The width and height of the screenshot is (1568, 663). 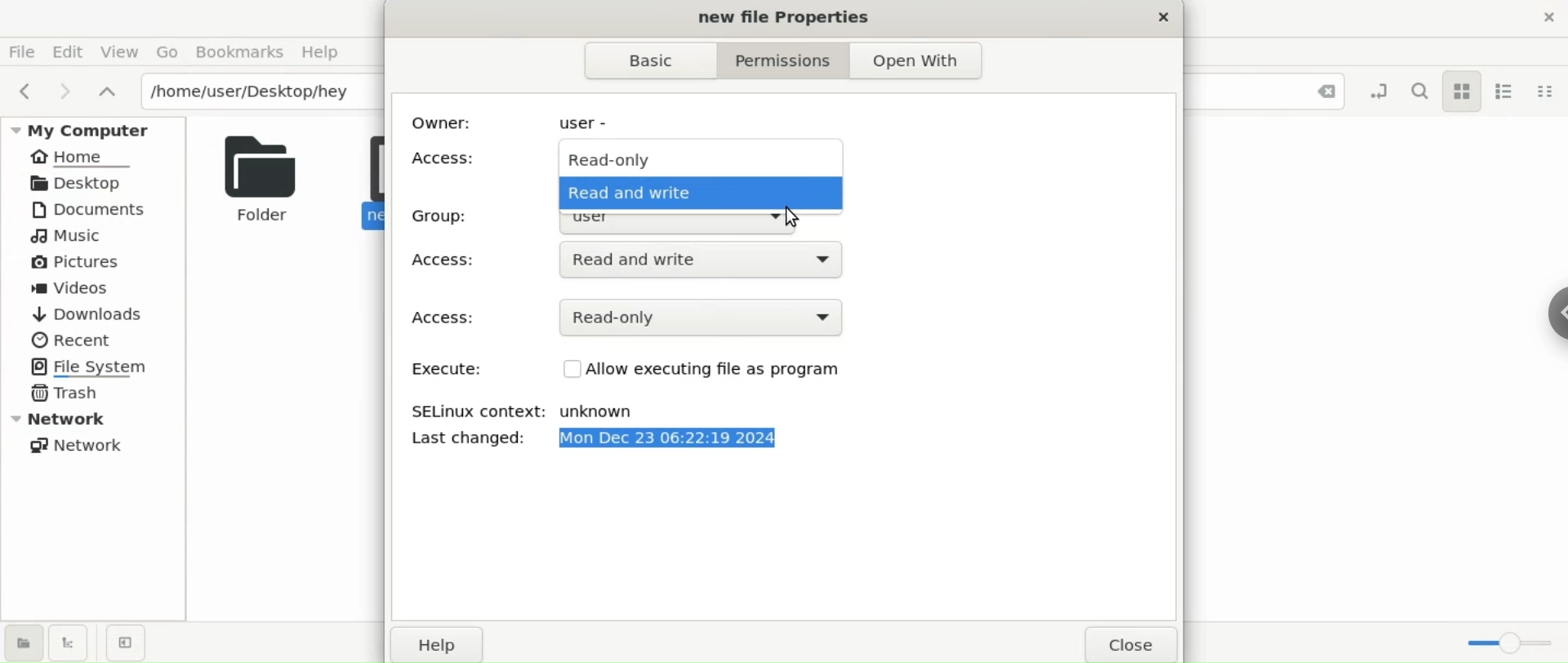 I want to click on Open with, so click(x=924, y=60).